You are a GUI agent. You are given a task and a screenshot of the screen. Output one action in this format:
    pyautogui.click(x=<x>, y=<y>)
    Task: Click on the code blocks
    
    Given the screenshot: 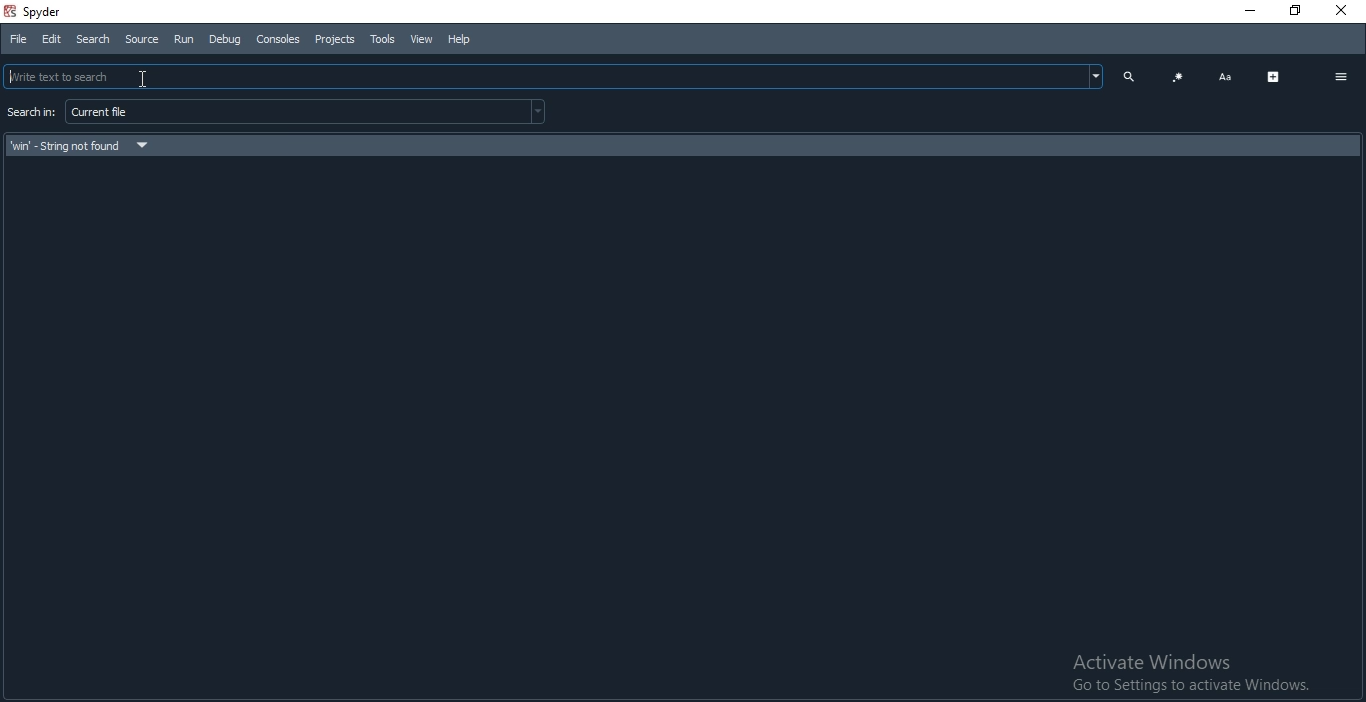 What is the action you would take?
    pyautogui.click(x=1178, y=77)
    